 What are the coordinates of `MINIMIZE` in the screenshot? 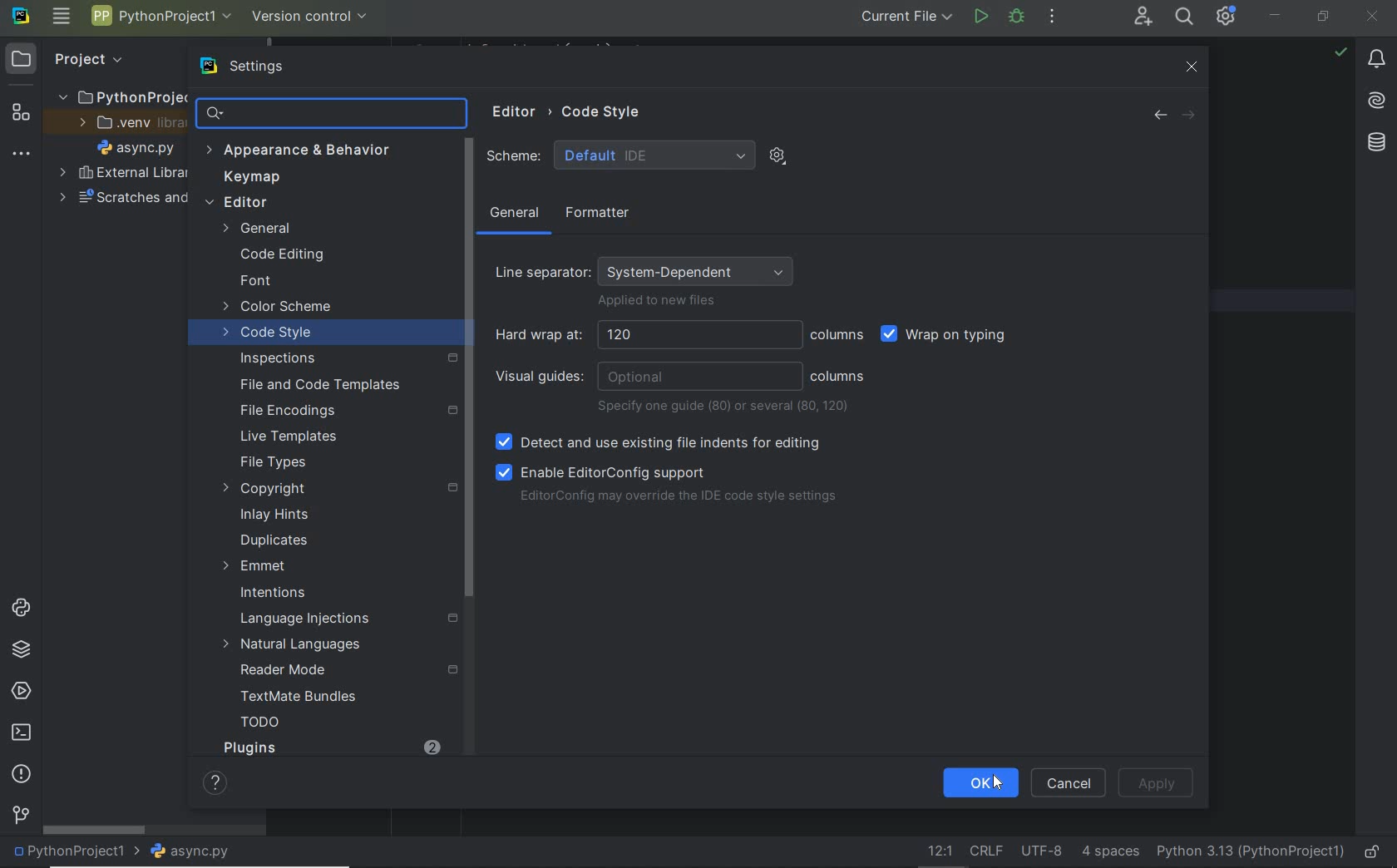 It's located at (1277, 14).